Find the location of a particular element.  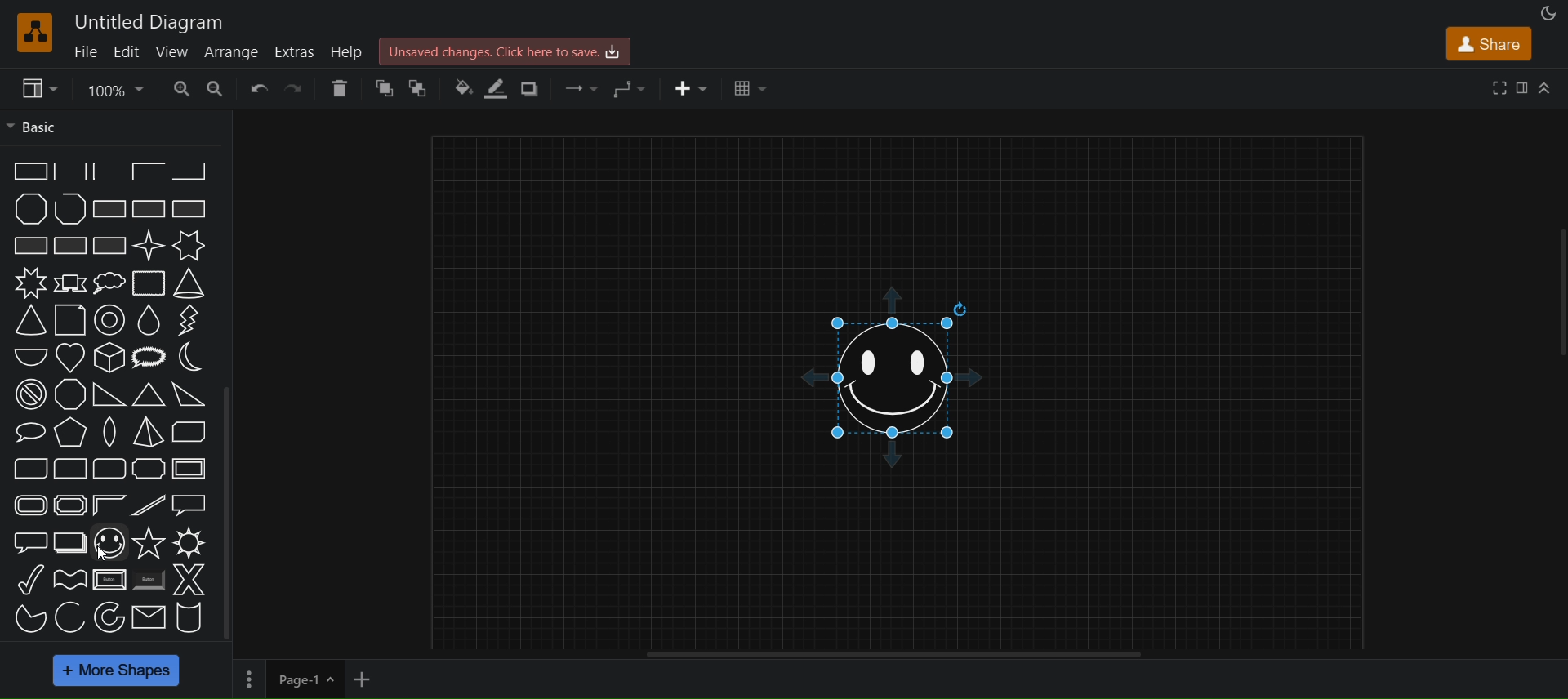

waypoints is located at coordinates (634, 89).